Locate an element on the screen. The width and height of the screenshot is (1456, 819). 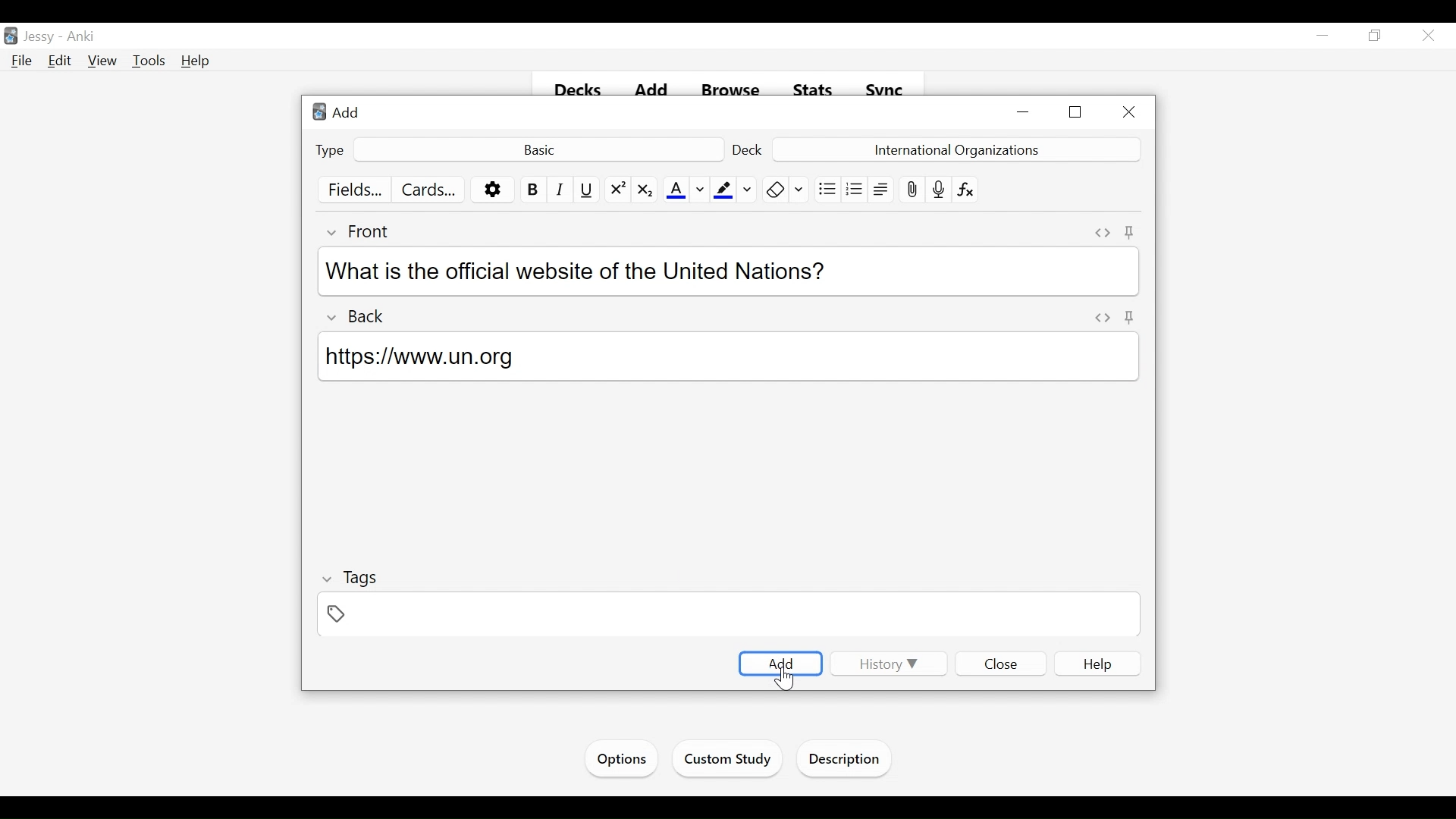
Bold Text is located at coordinates (532, 190).